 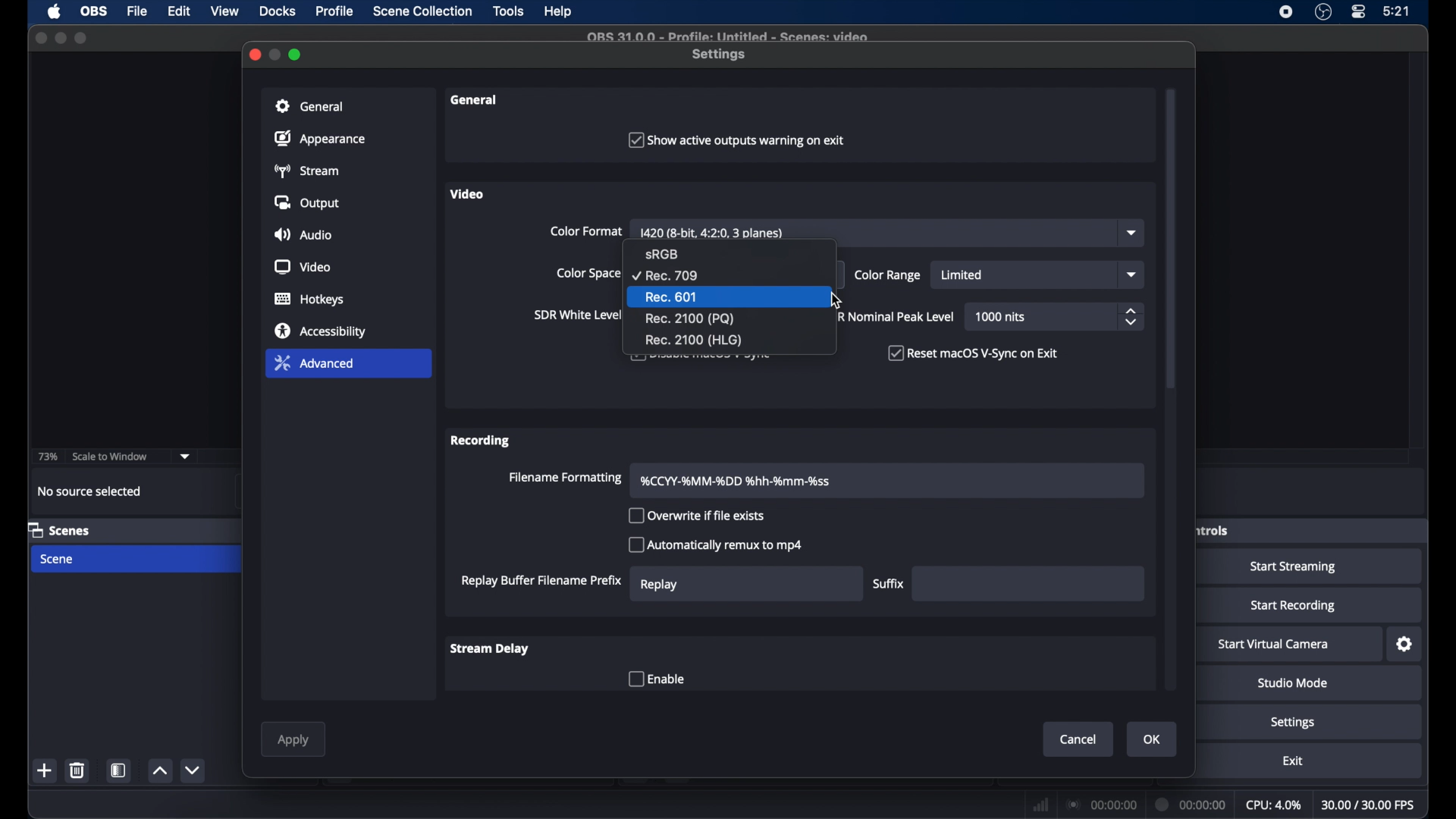 I want to click on scene filters, so click(x=119, y=771).